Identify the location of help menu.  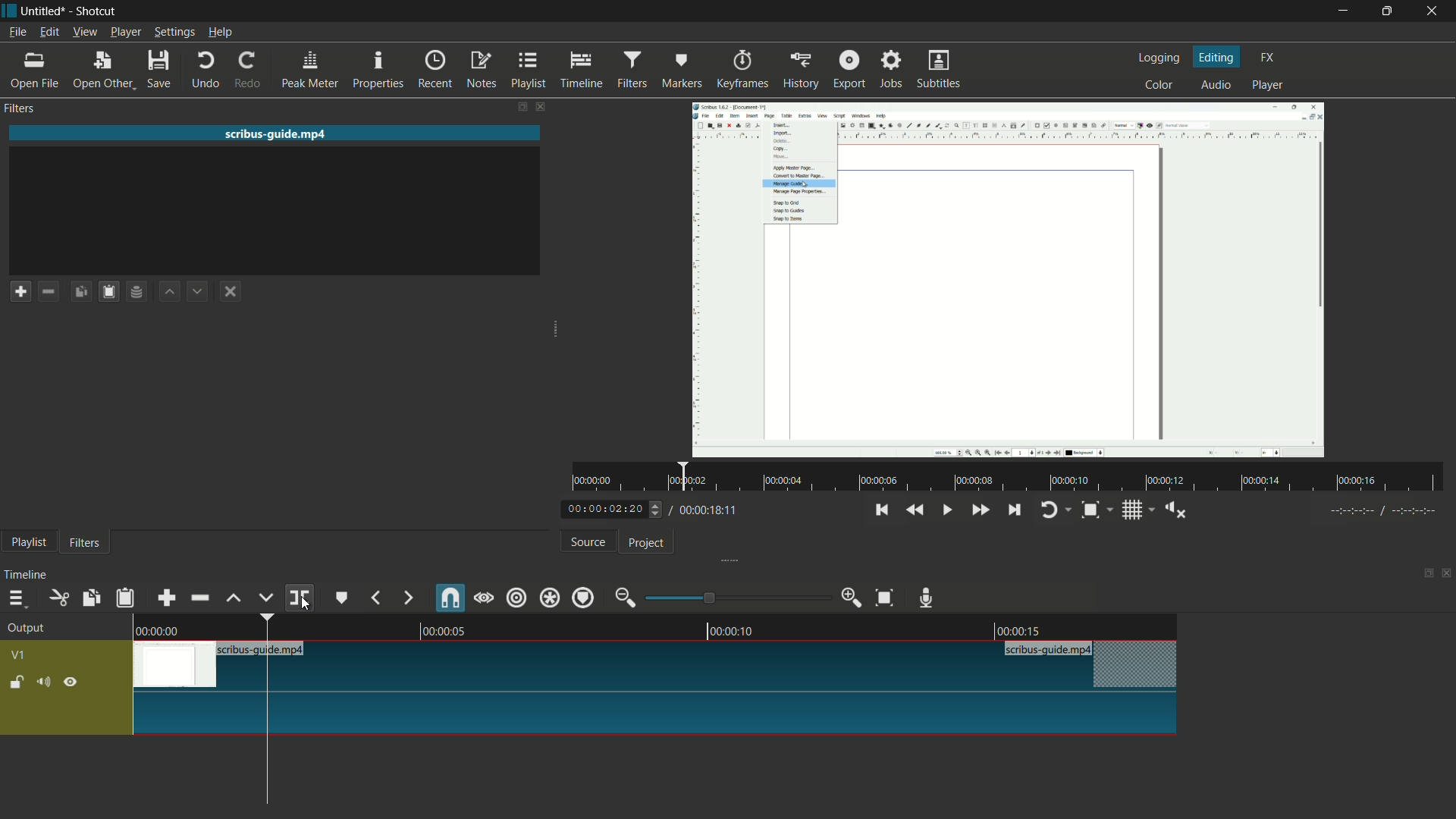
(221, 33).